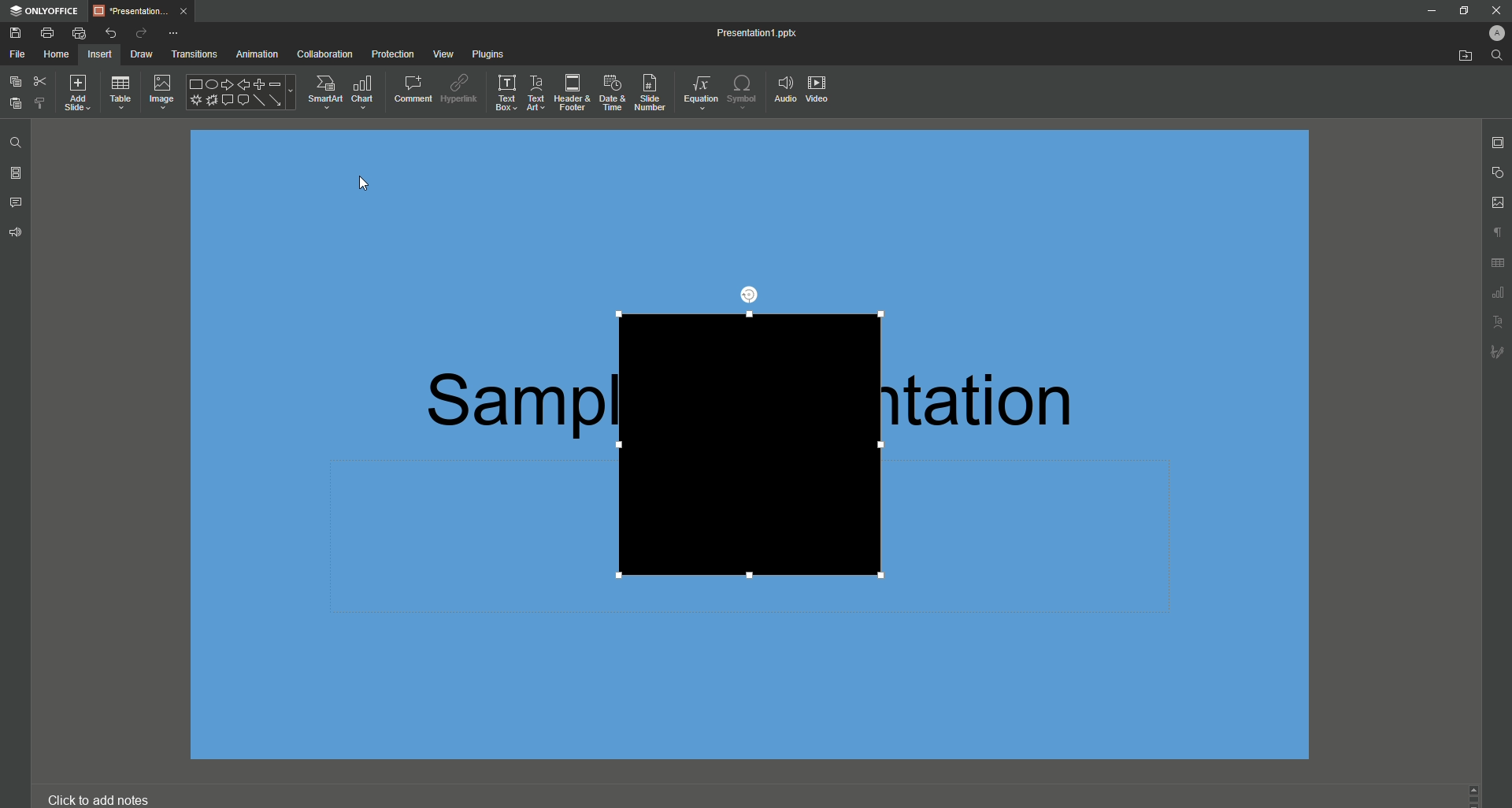  What do you see at coordinates (83, 94) in the screenshot?
I see `Add Slide` at bounding box center [83, 94].